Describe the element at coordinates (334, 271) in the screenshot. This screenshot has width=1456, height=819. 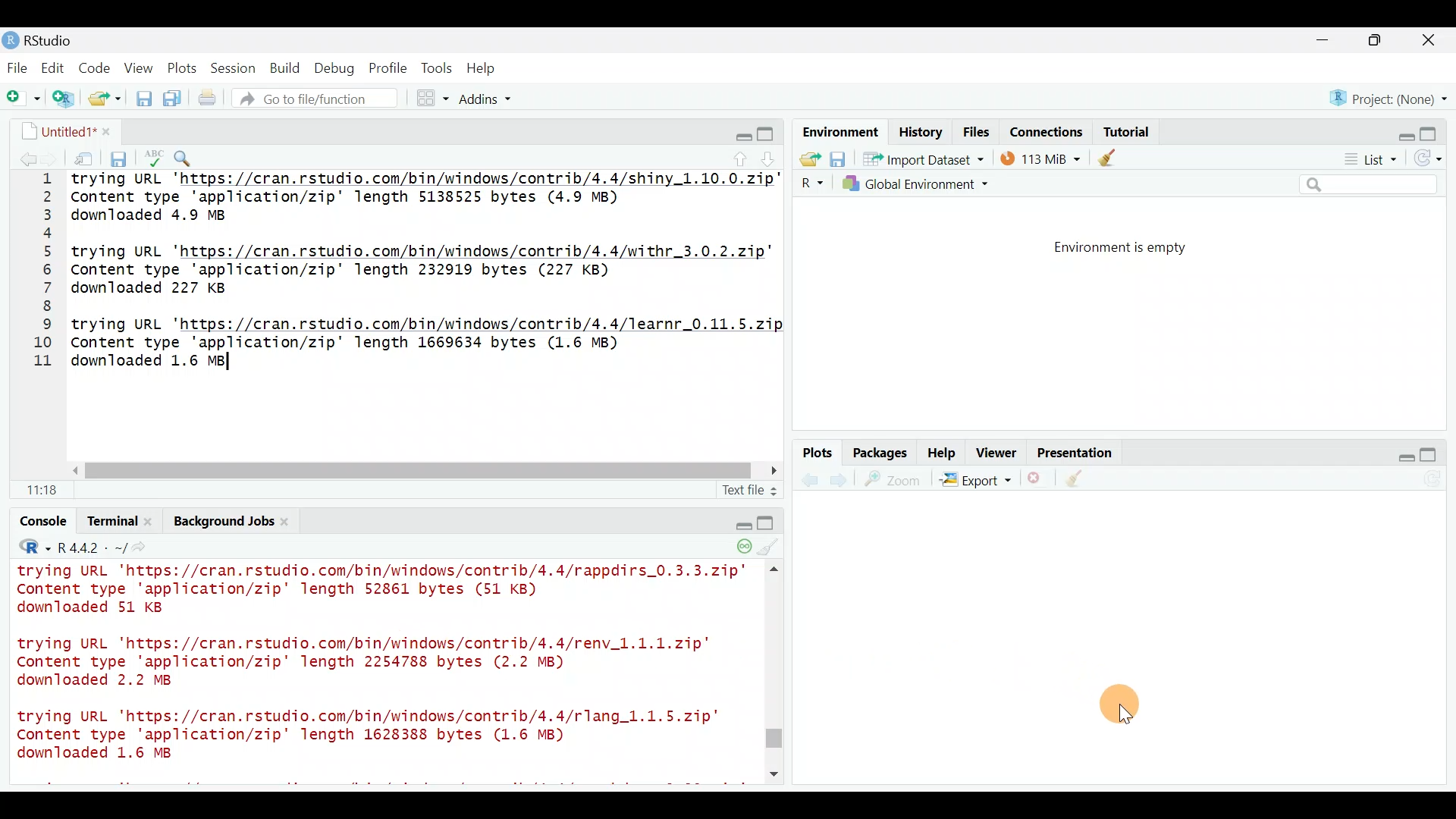
I see `6 Content type "application/zip length 232919 bytes (227 KB)` at that location.